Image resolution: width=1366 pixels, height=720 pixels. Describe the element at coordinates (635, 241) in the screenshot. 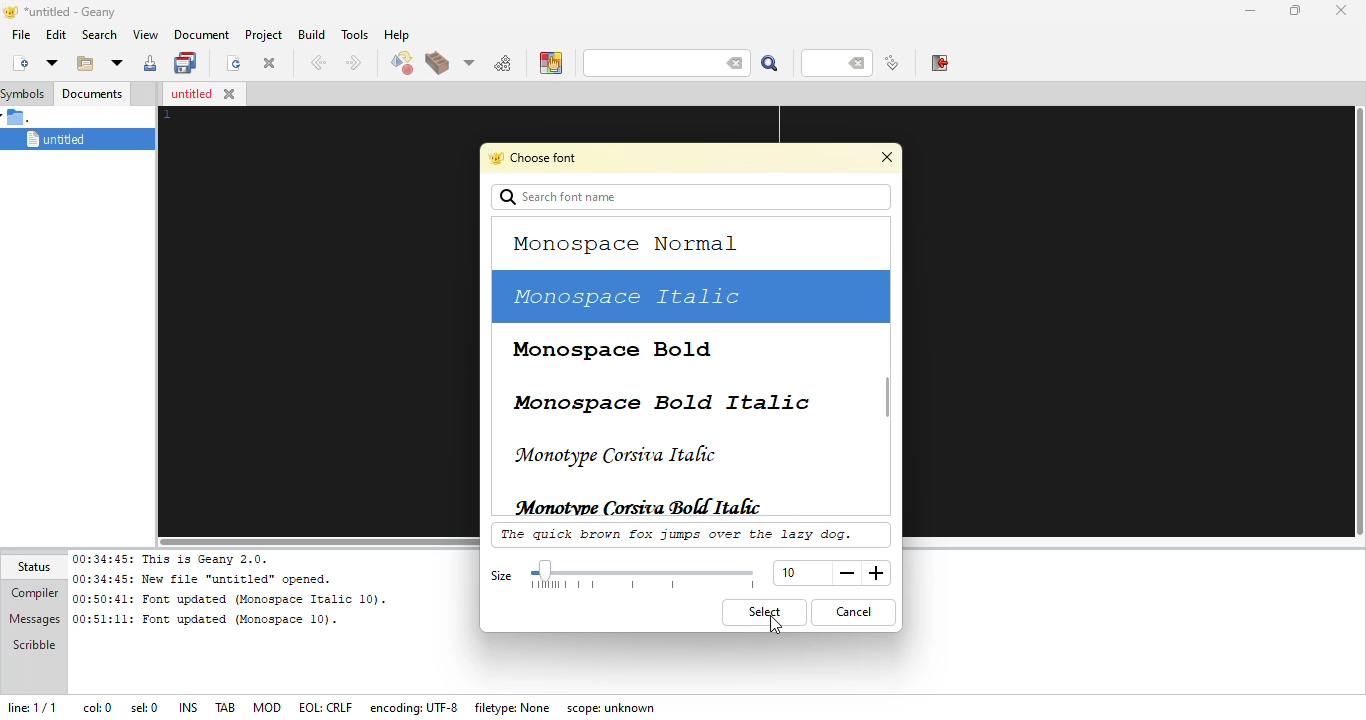

I see `monospace normal` at that location.